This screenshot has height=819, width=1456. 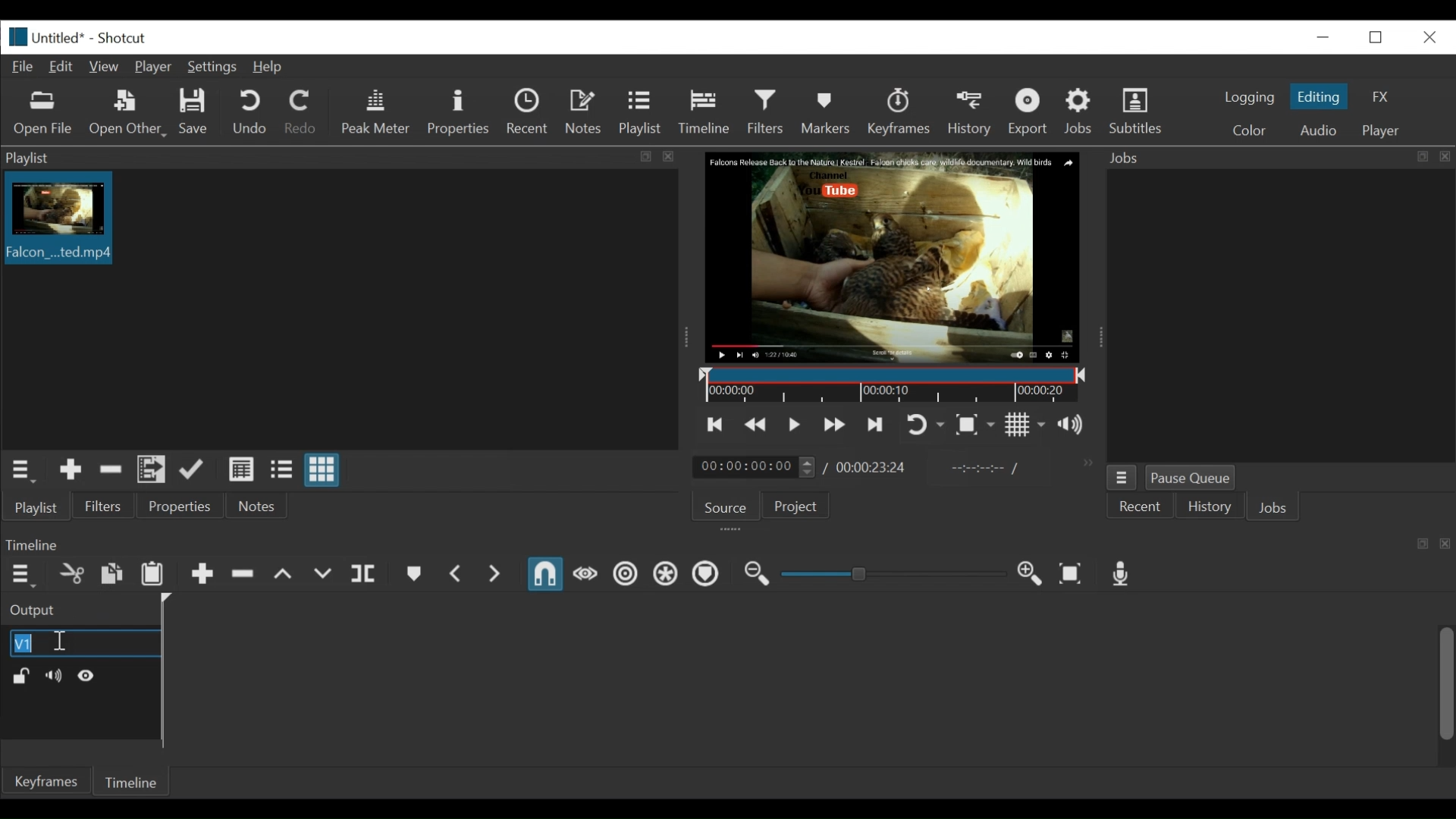 I want to click on Properties, so click(x=458, y=111).